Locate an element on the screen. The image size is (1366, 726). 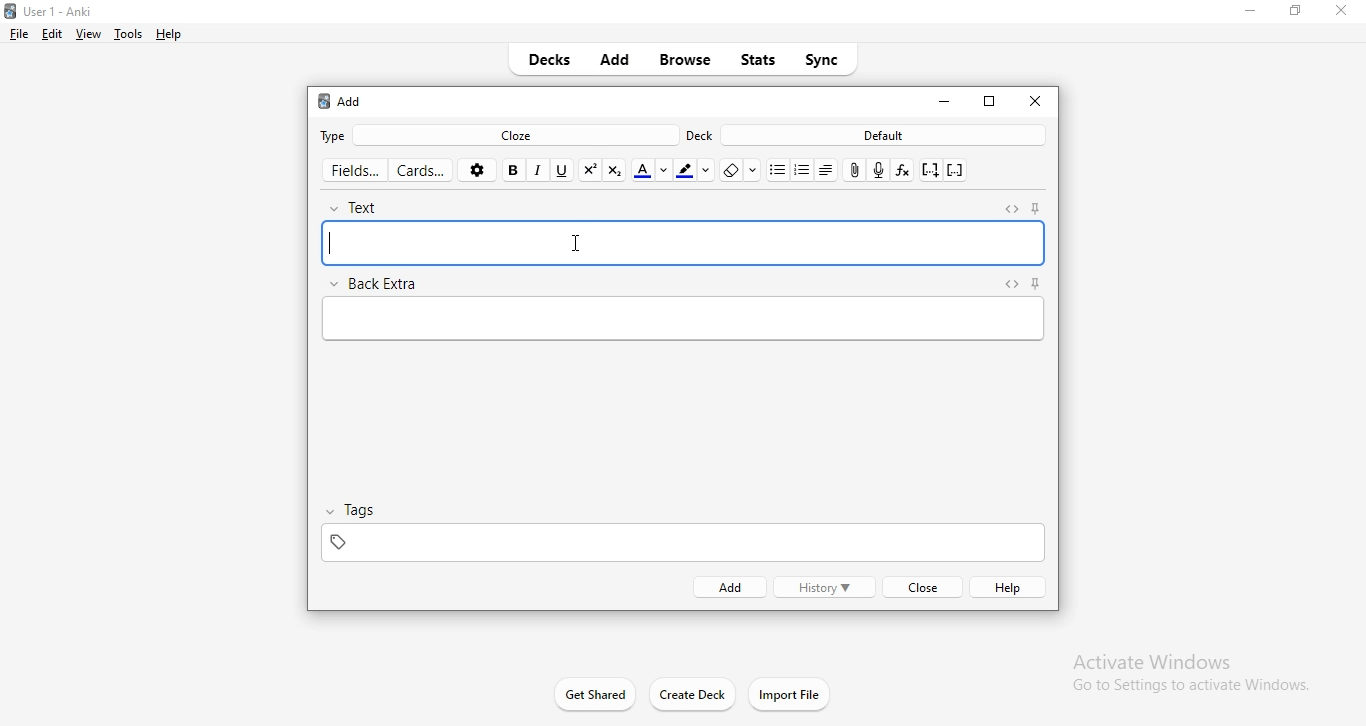
formula is located at coordinates (902, 168).